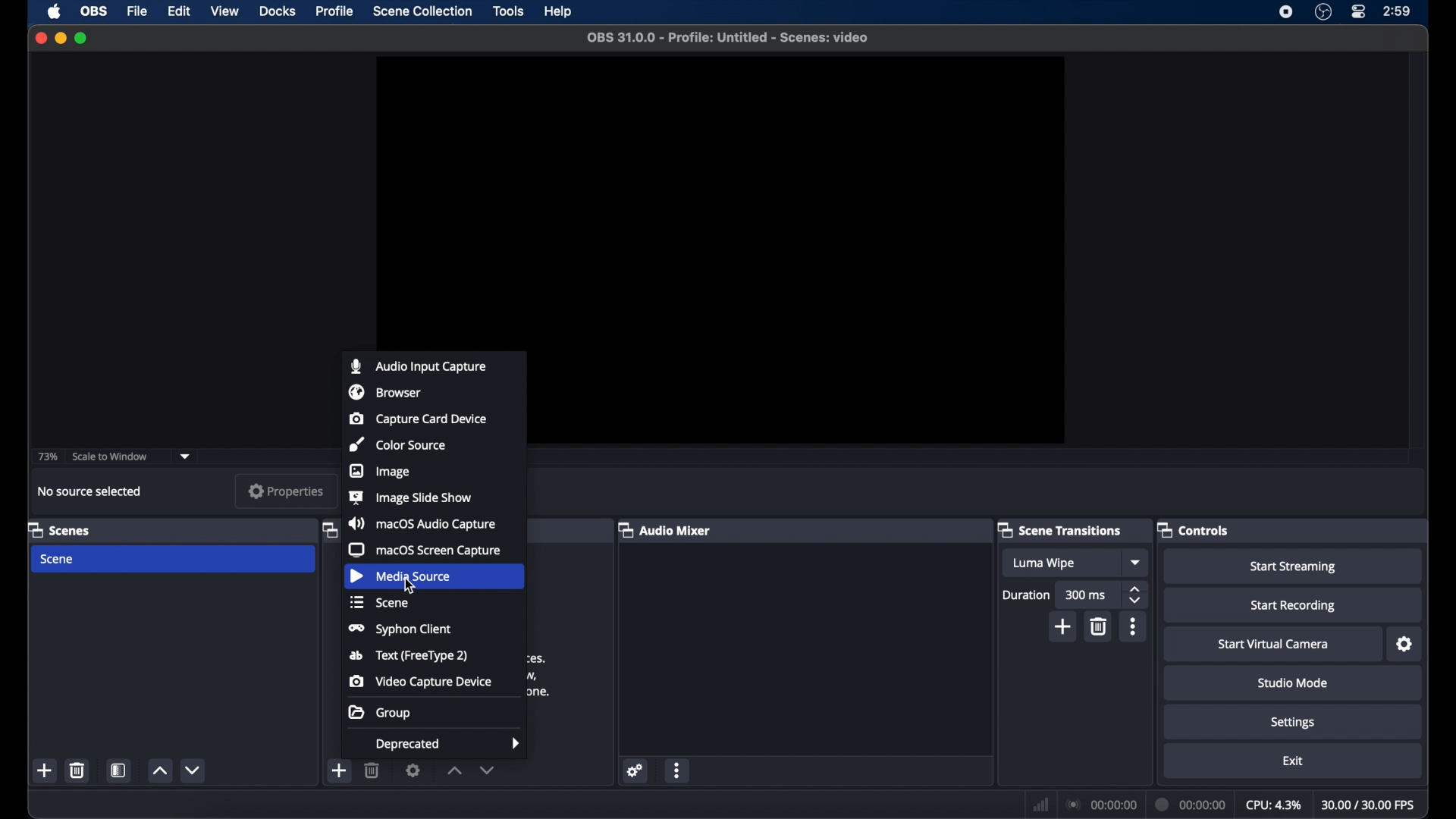  What do you see at coordinates (46, 457) in the screenshot?
I see `73%` at bounding box center [46, 457].